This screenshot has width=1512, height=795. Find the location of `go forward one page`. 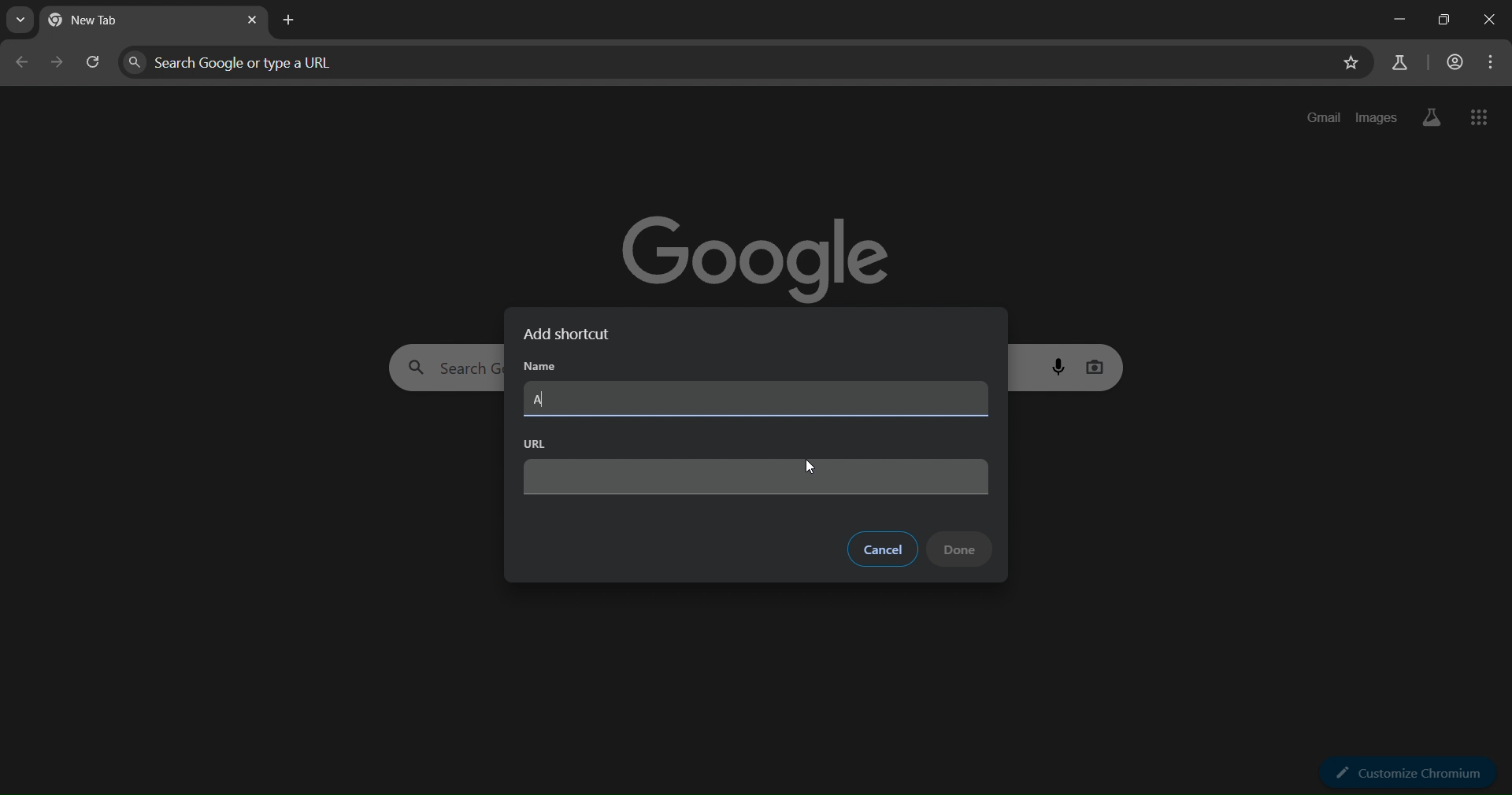

go forward one page is located at coordinates (58, 65).